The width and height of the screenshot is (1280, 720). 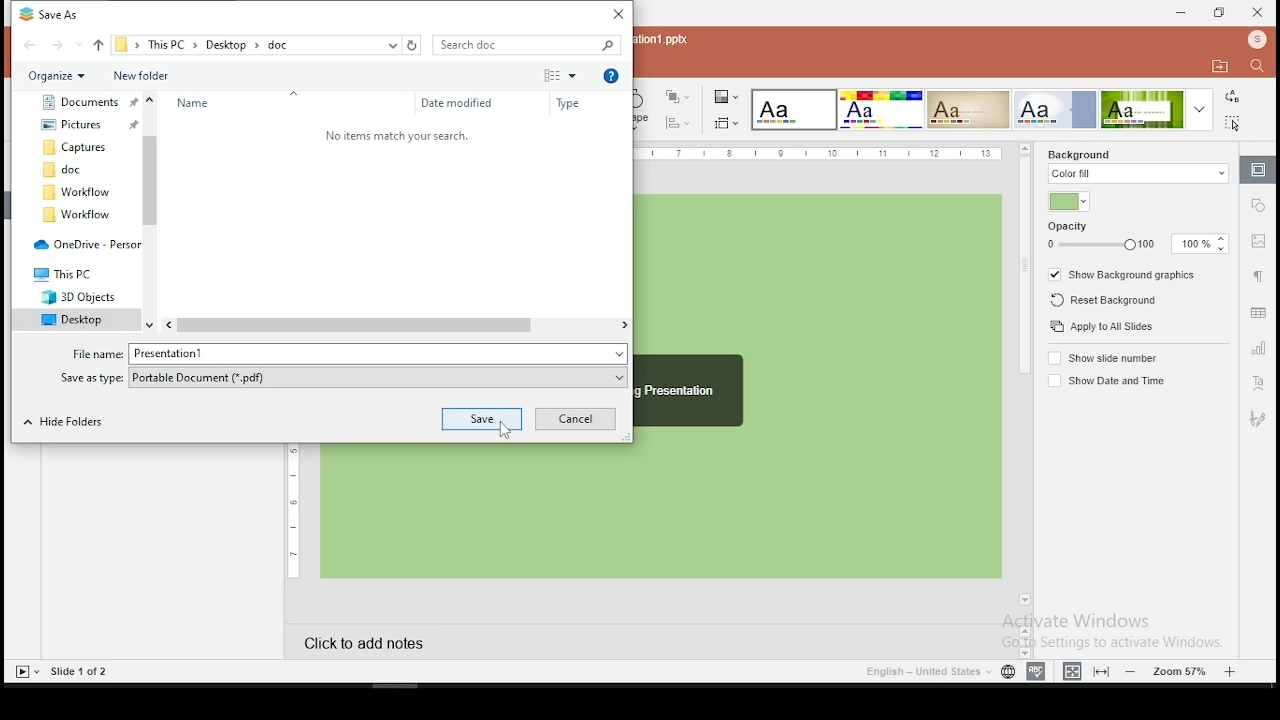 I want to click on File name Presentation1, so click(x=376, y=353).